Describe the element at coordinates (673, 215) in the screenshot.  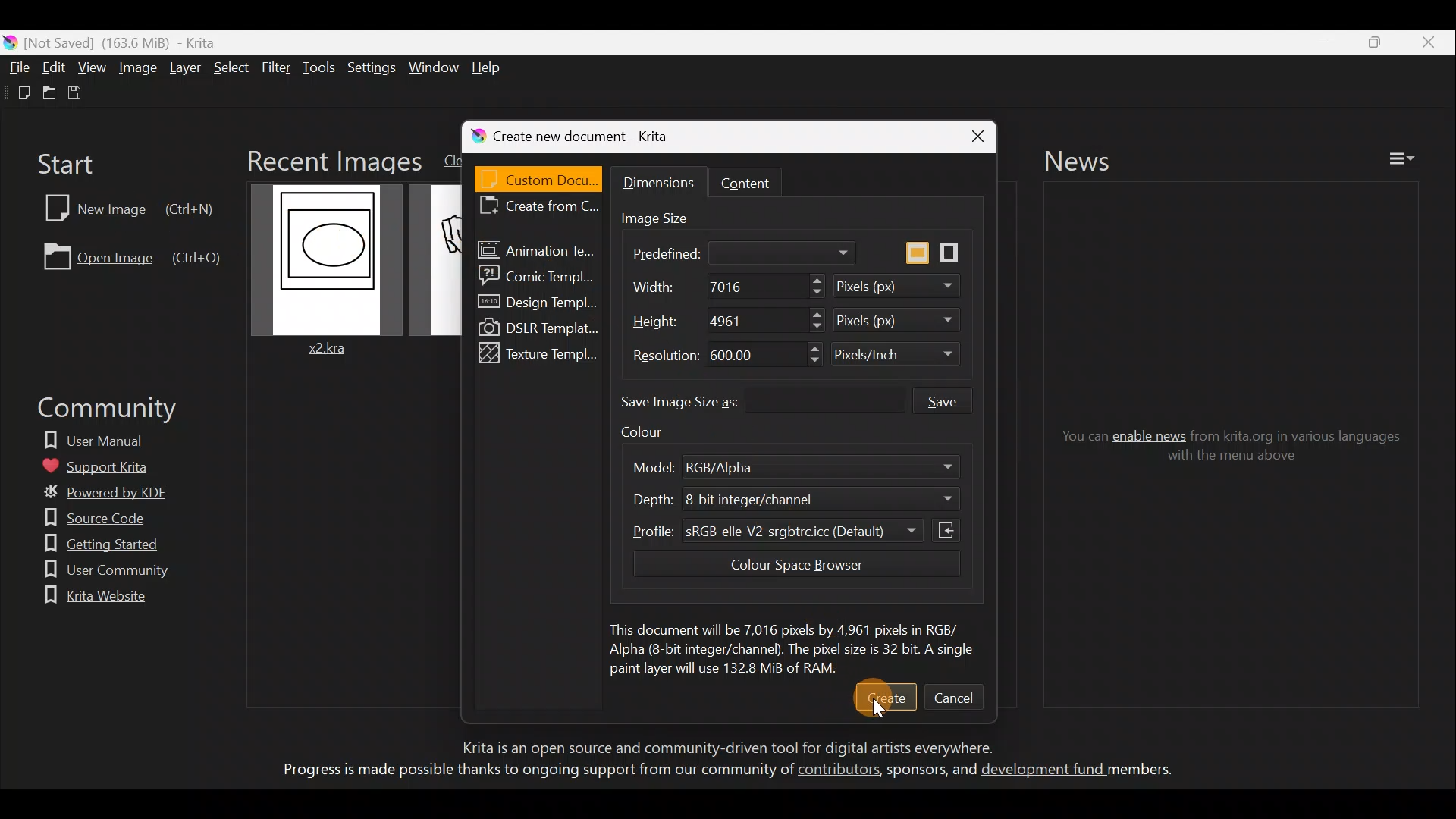
I see `Image size` at that location.